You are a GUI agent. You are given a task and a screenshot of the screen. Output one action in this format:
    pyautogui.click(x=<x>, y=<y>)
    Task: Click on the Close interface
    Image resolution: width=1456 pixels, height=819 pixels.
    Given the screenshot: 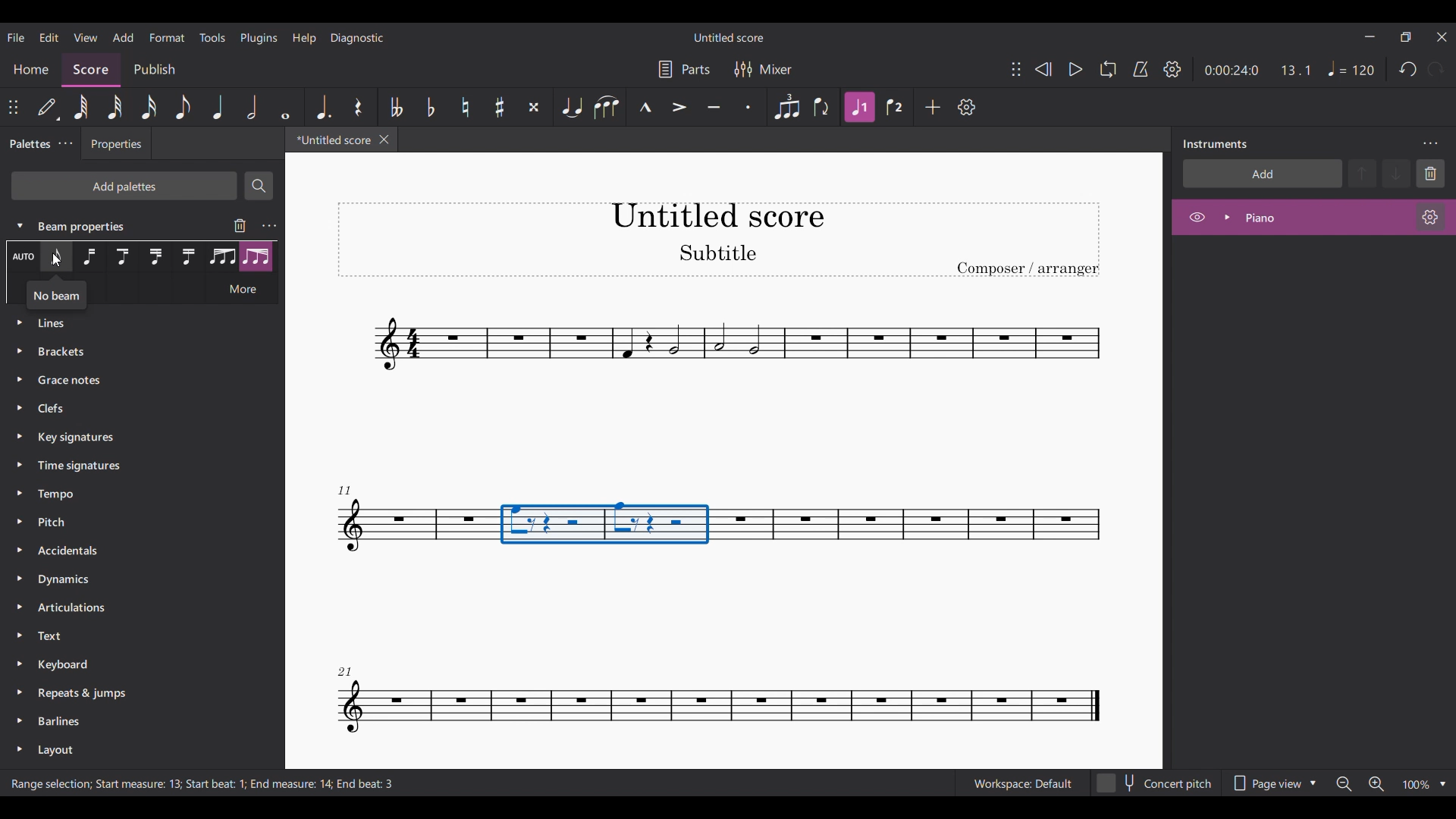 What is the action you would take?
    pyautogui.click(x=1442, y=37)
    